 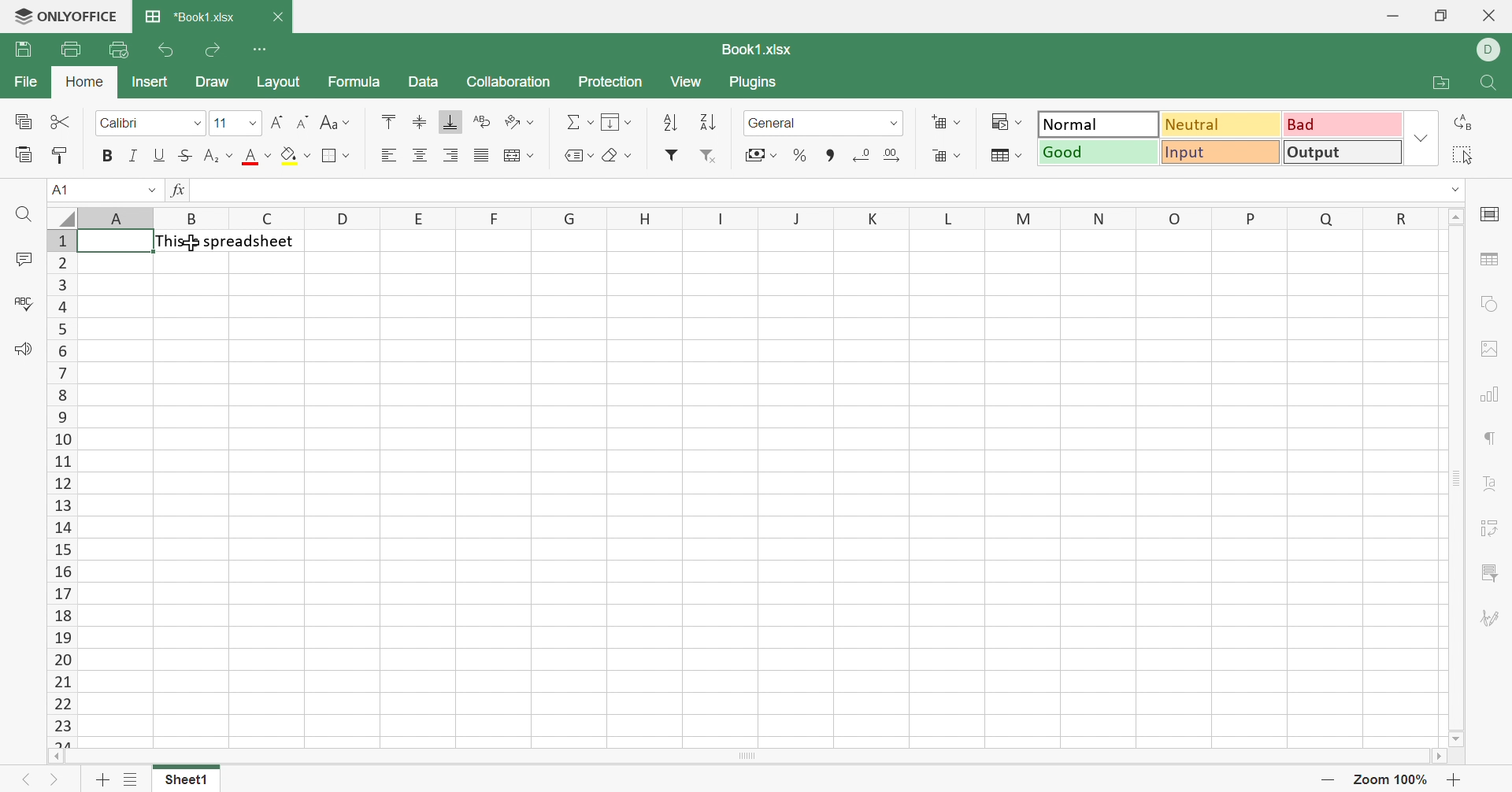 What do you see at coordinates (65, 17) in the screenshot?
I see `ONLYOFFICE` at bounding box center [65, 17].